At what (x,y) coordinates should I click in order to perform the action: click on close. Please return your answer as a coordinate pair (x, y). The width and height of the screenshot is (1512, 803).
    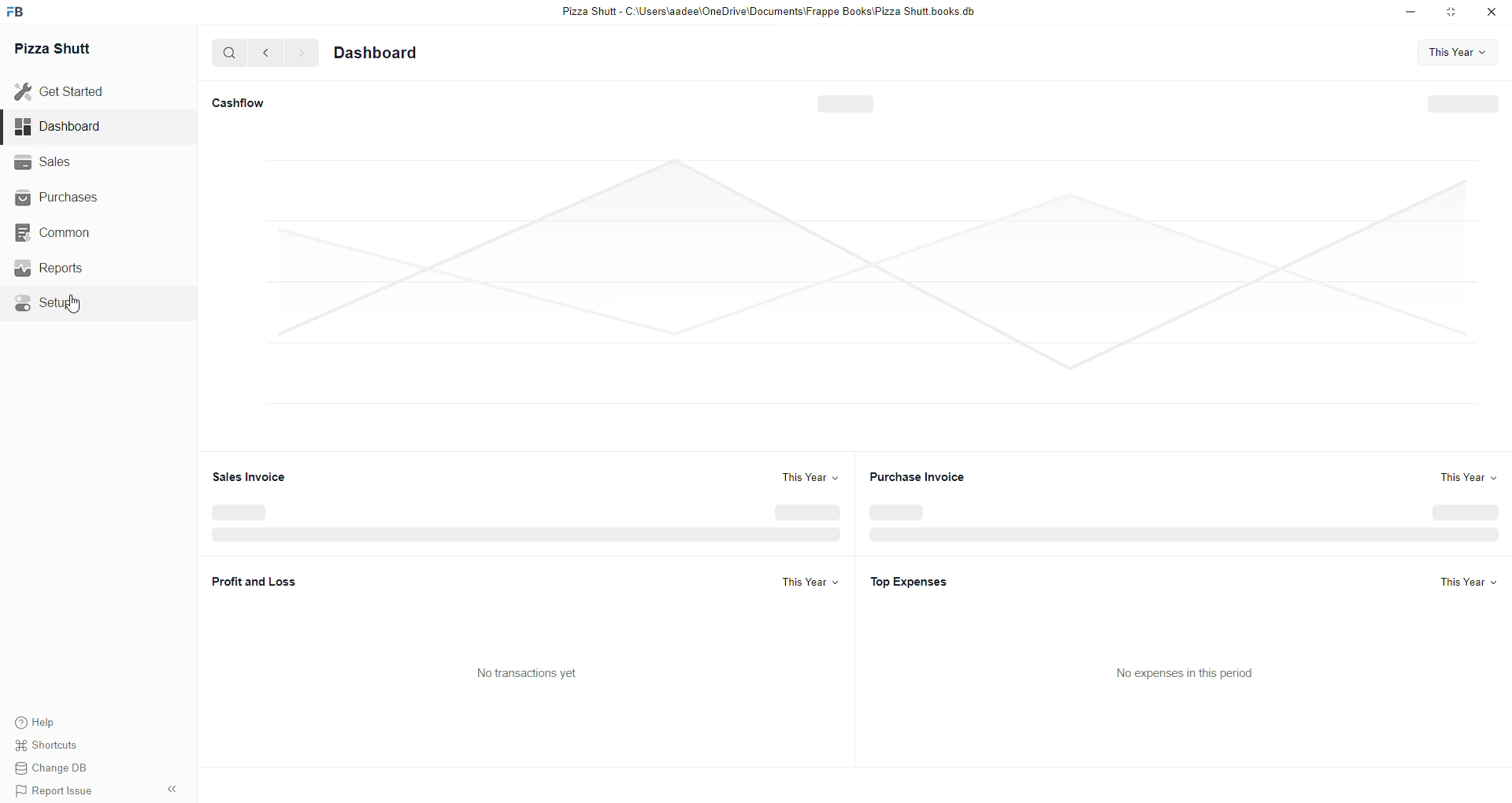
    Looking at the image, I should click on (1496, 15).